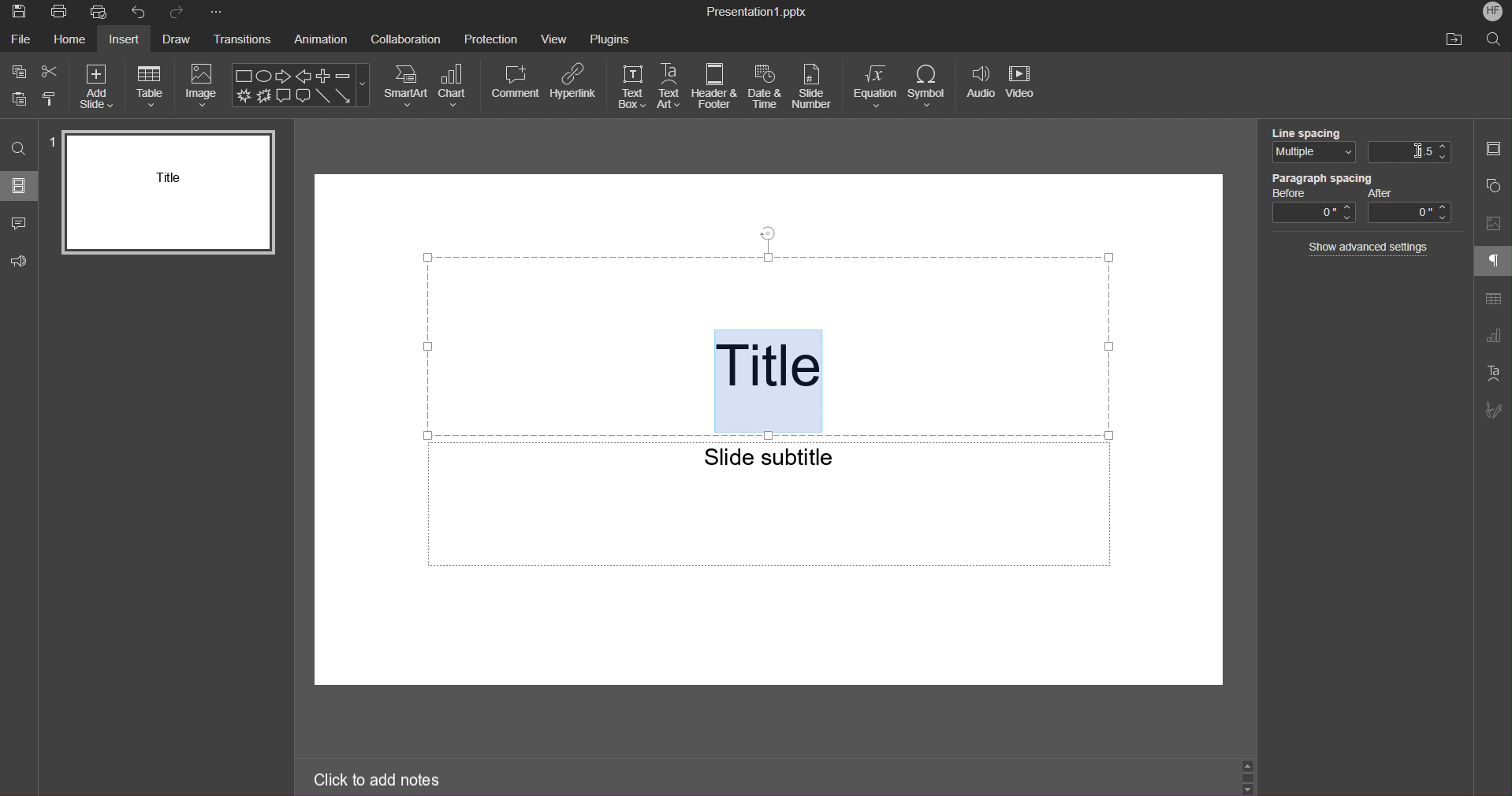  I want to click on Shape Menu, so click(302, 85).